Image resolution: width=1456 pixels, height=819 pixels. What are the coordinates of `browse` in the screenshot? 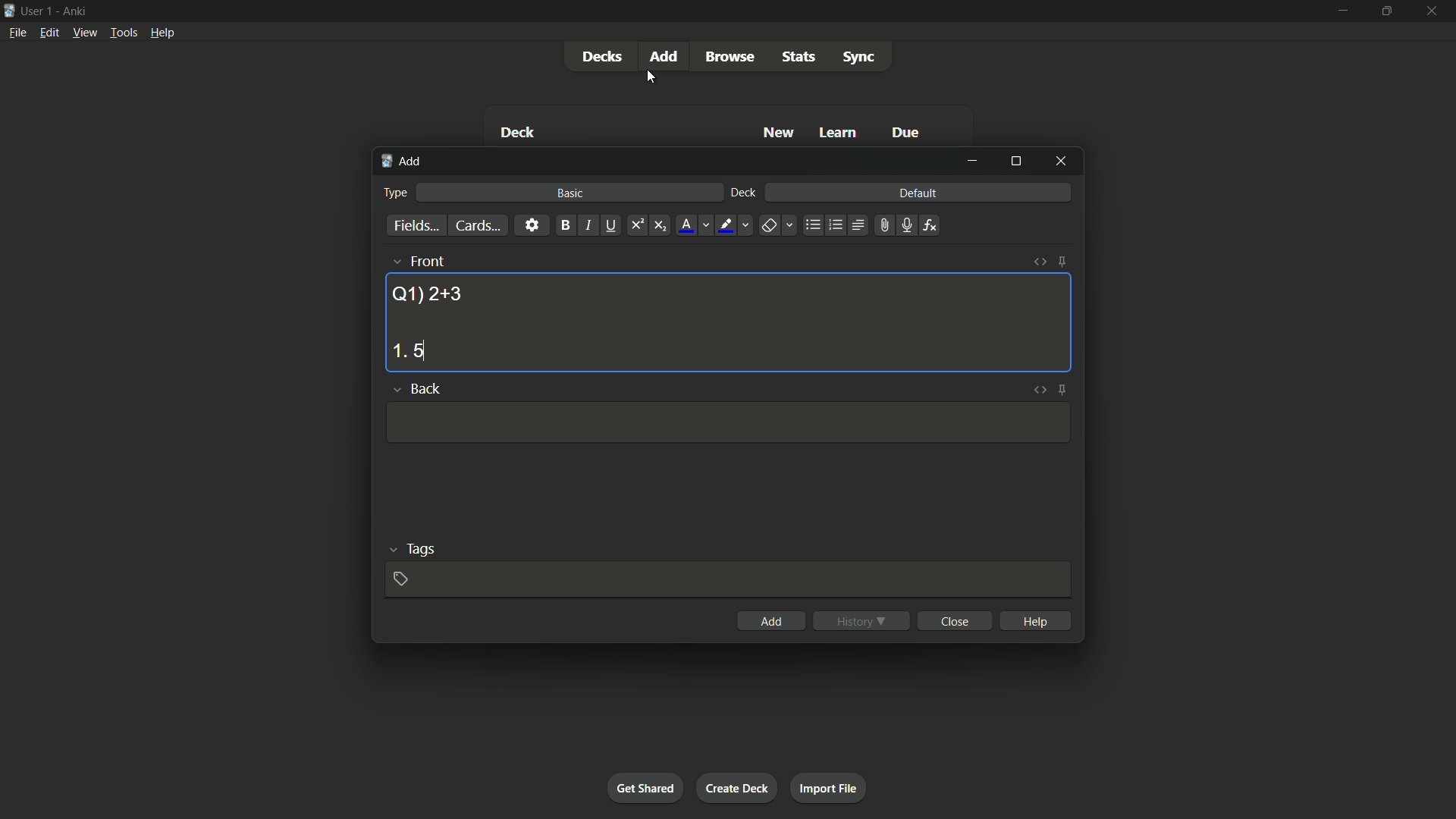 It's located at (730, 57).